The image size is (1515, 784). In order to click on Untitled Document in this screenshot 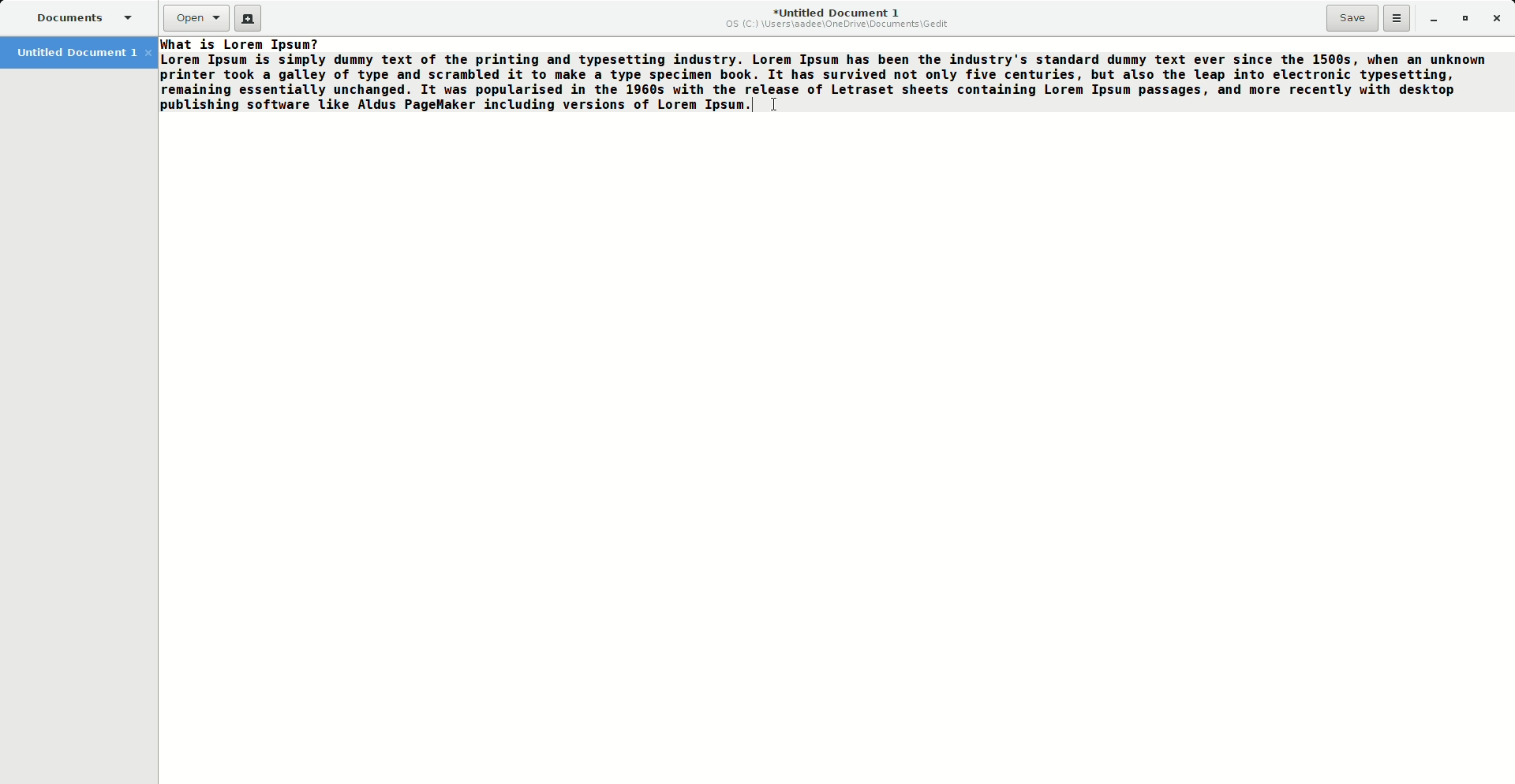, I will do `click(82, 51)`.